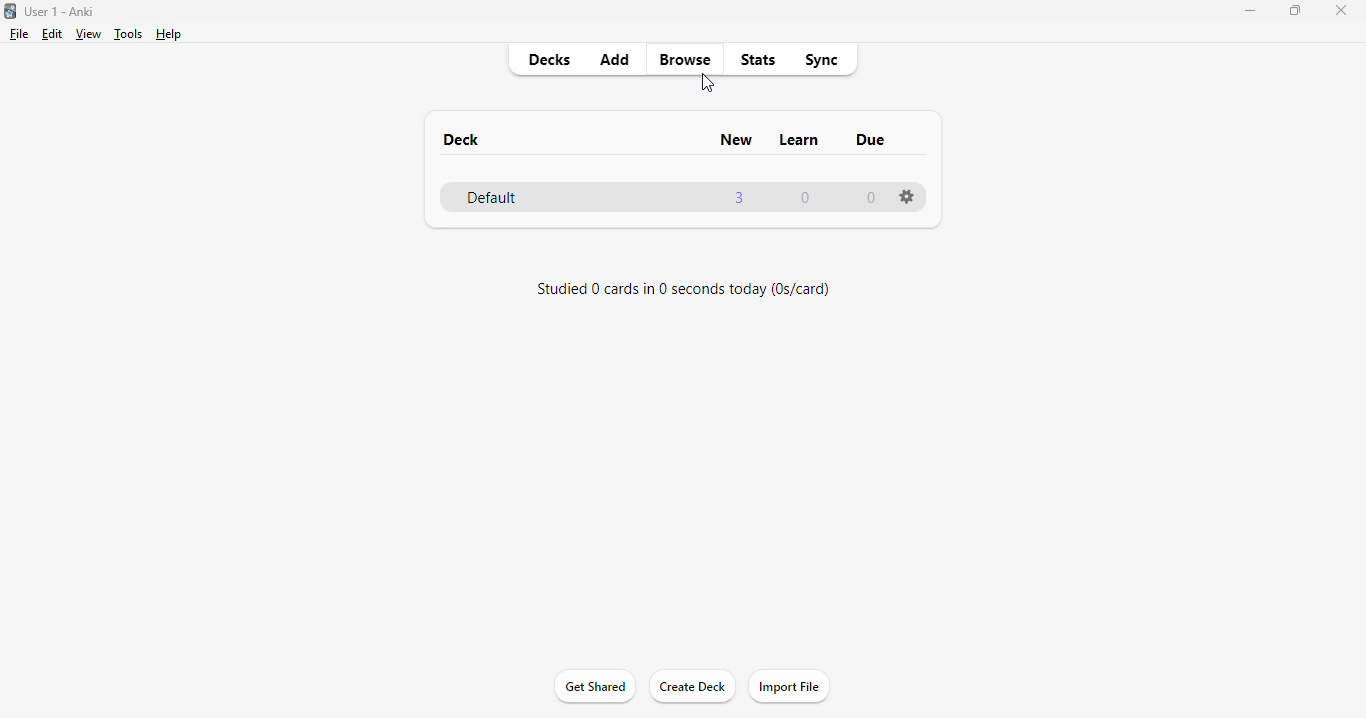 This screenshot has height=718, width=1366. What do you see at coordinates (684, 290) in the screenshot?
I see `studies 0 cards in 0 seconds today (0s/card)` at bounding box center [684, 290].